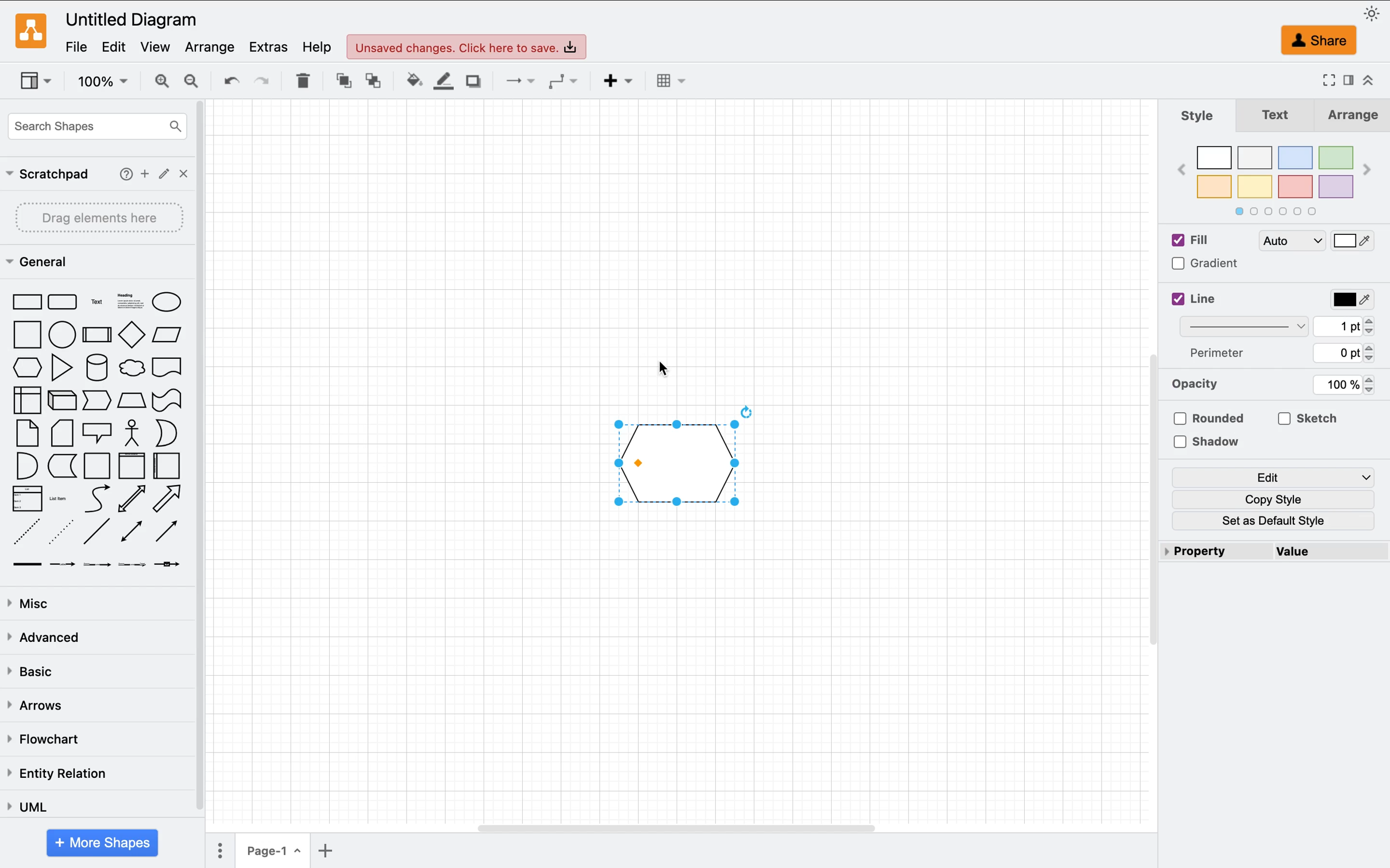 This screenshot has width=1390, height=868. Describe the element at coordinates (128, 300) in the screenshot. I see `heading` at that location.